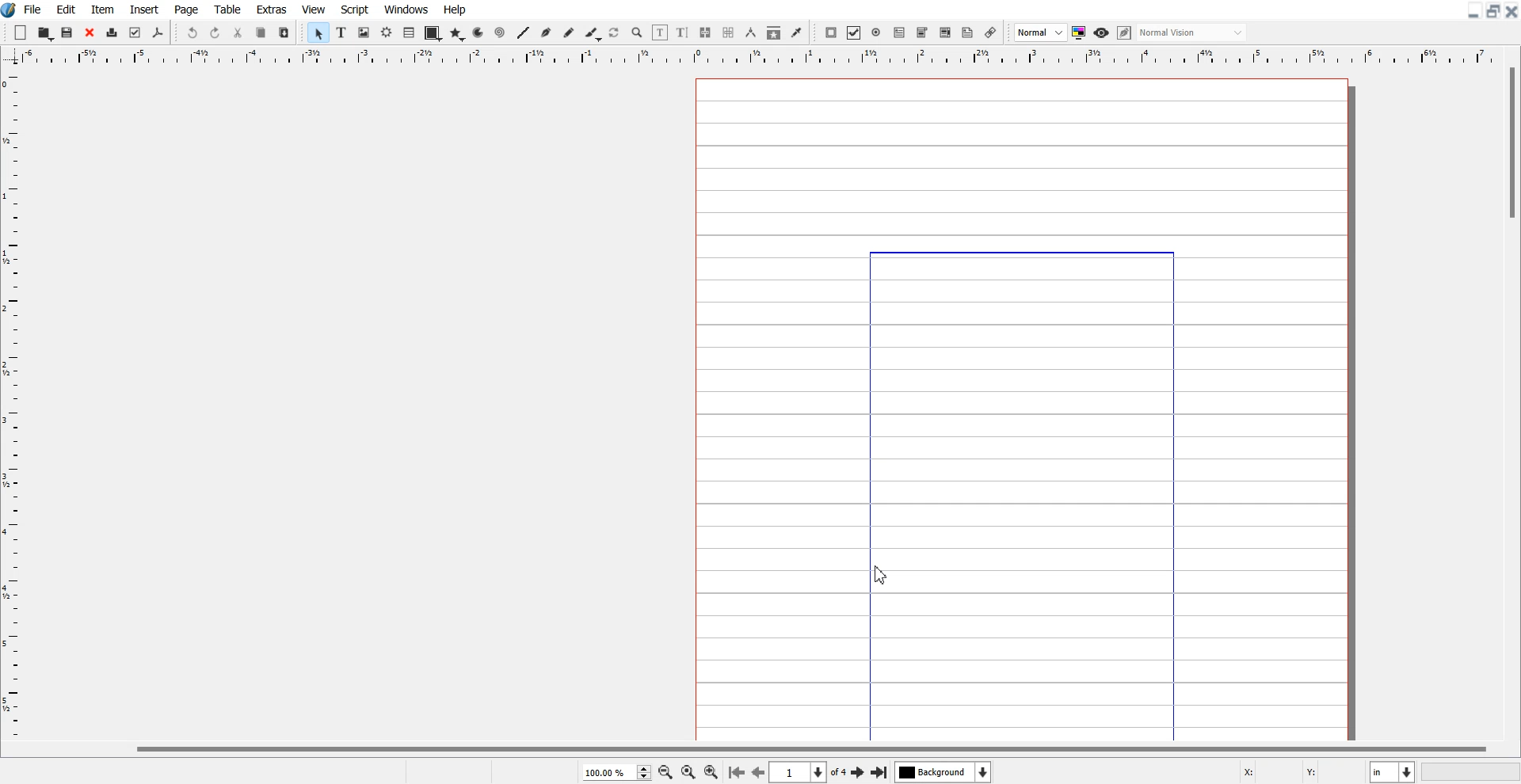  What do you see at coordinates (796, 32) in the screenshot?
I see `Eye Dropper` at bounding box center [796, 32].